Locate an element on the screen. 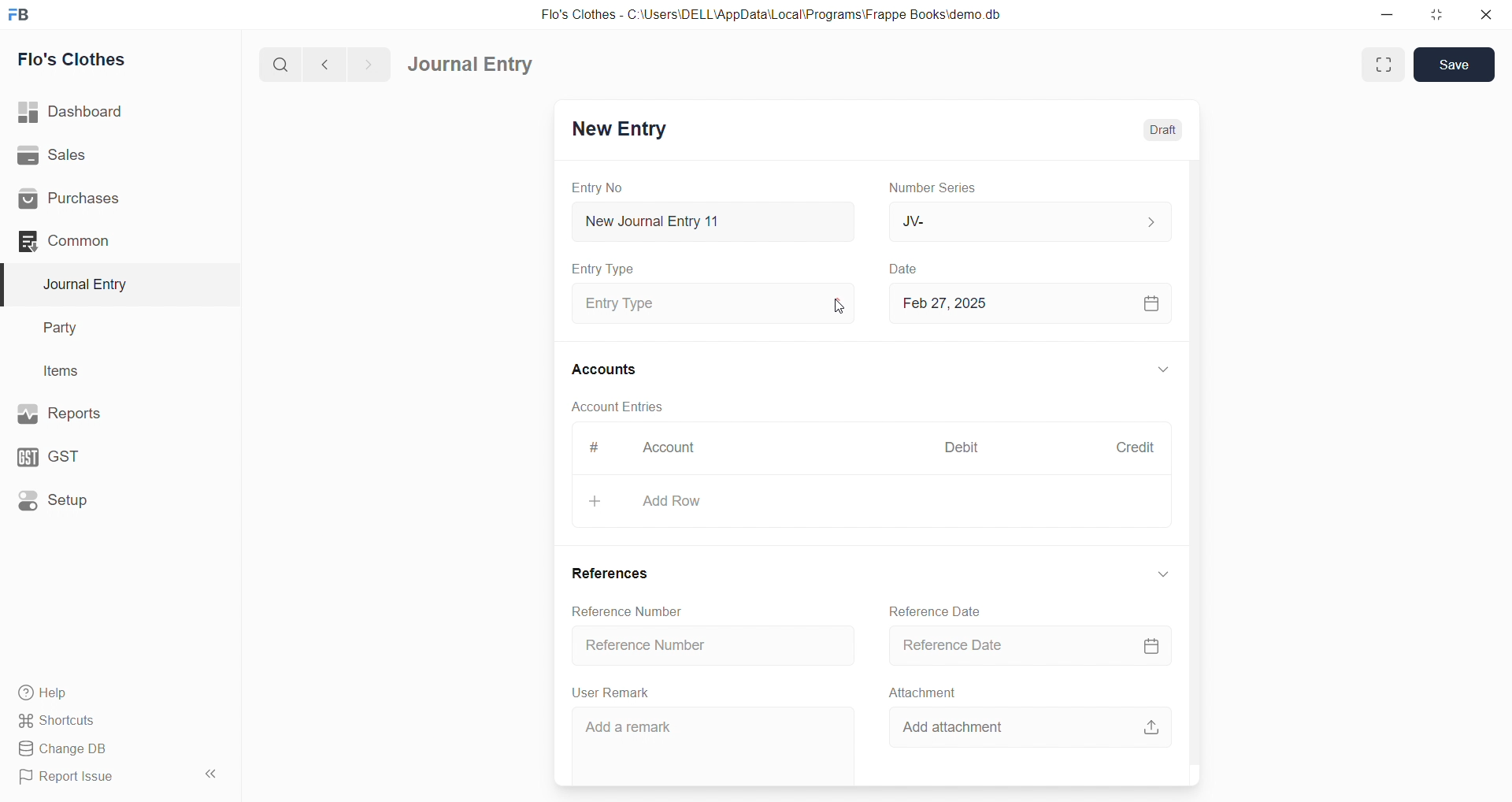  | Dashboard is located at coordinates (86, 113).